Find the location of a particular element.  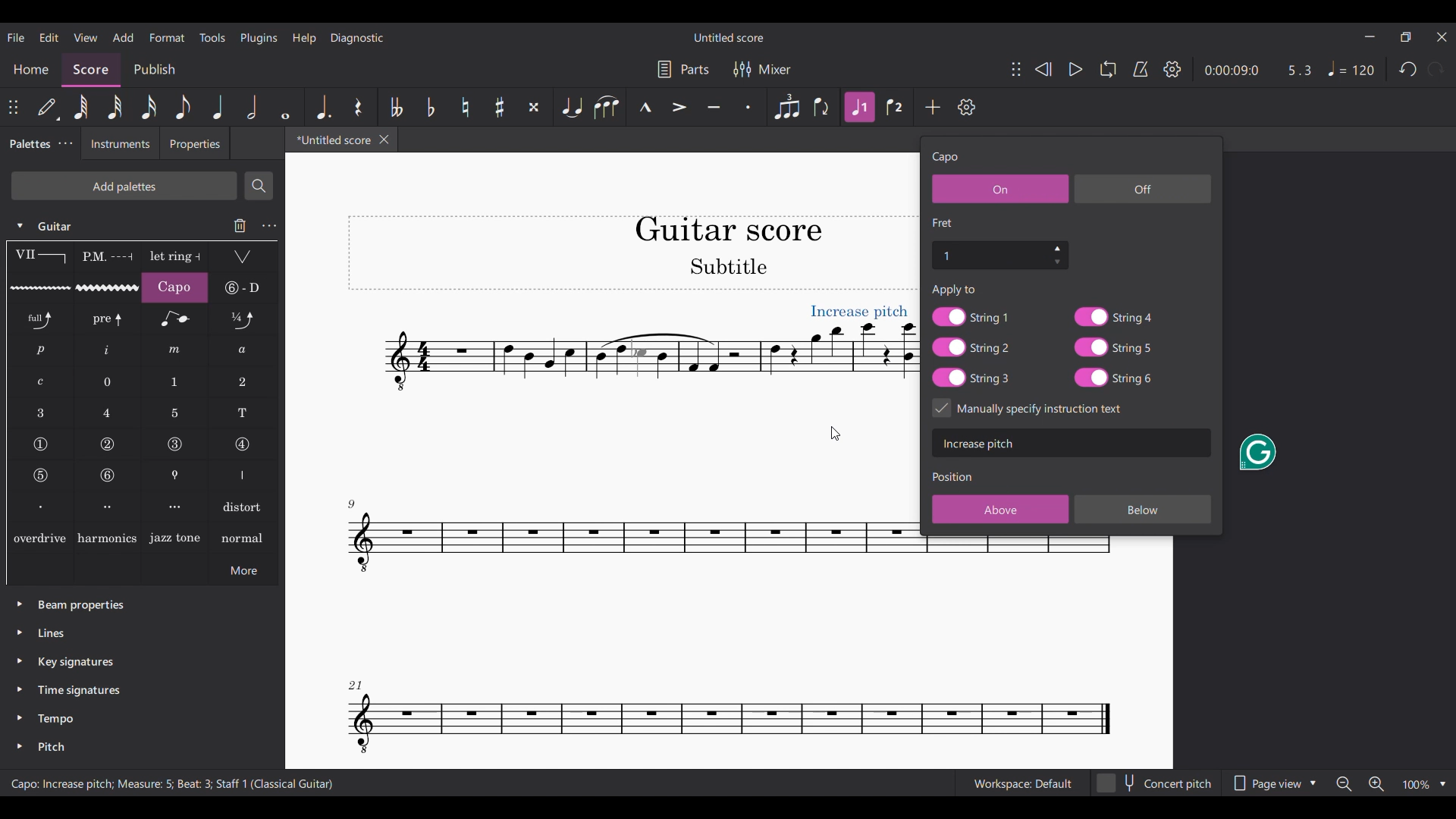

Cursor clicking on score is located at coordinates (835, 434).